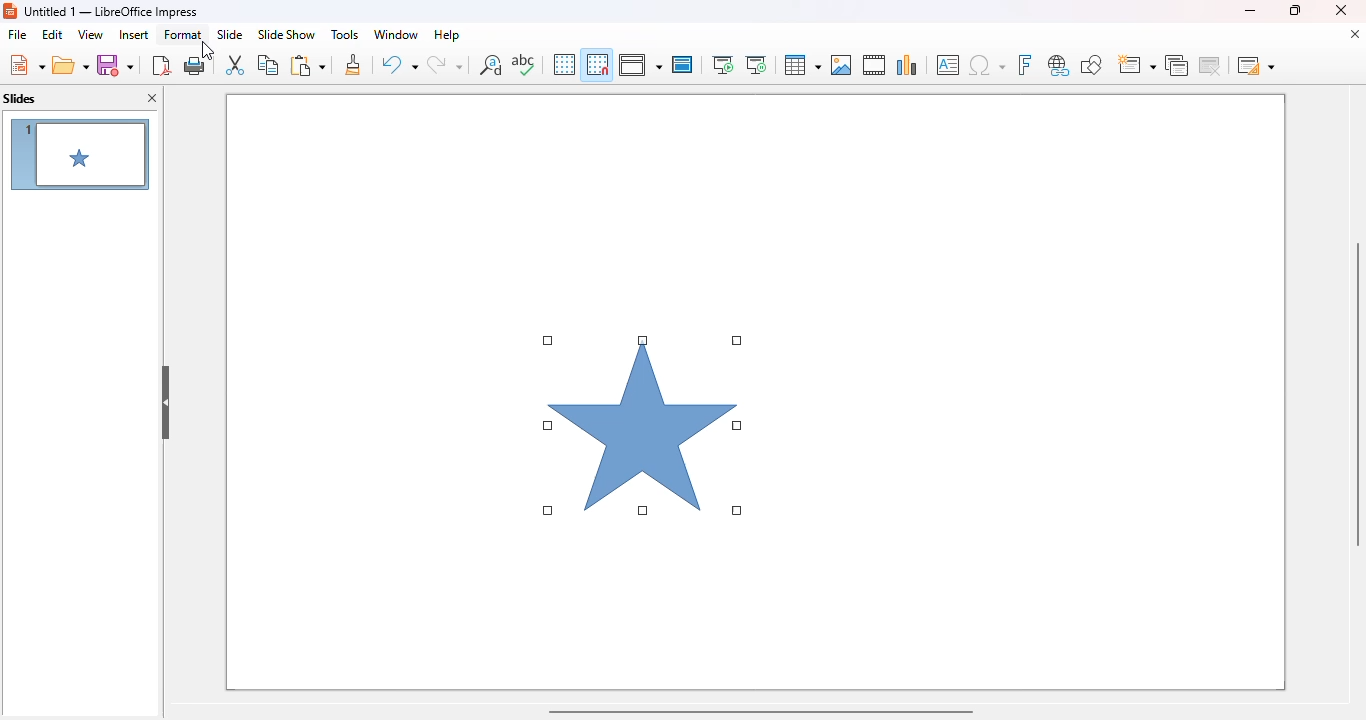 The height and width of the screenshot is (720, 1366). What do you see at coordinates (759, 710) in the screenshot?
I see `horizontal scroll bar` at bounding box center [759, 710].